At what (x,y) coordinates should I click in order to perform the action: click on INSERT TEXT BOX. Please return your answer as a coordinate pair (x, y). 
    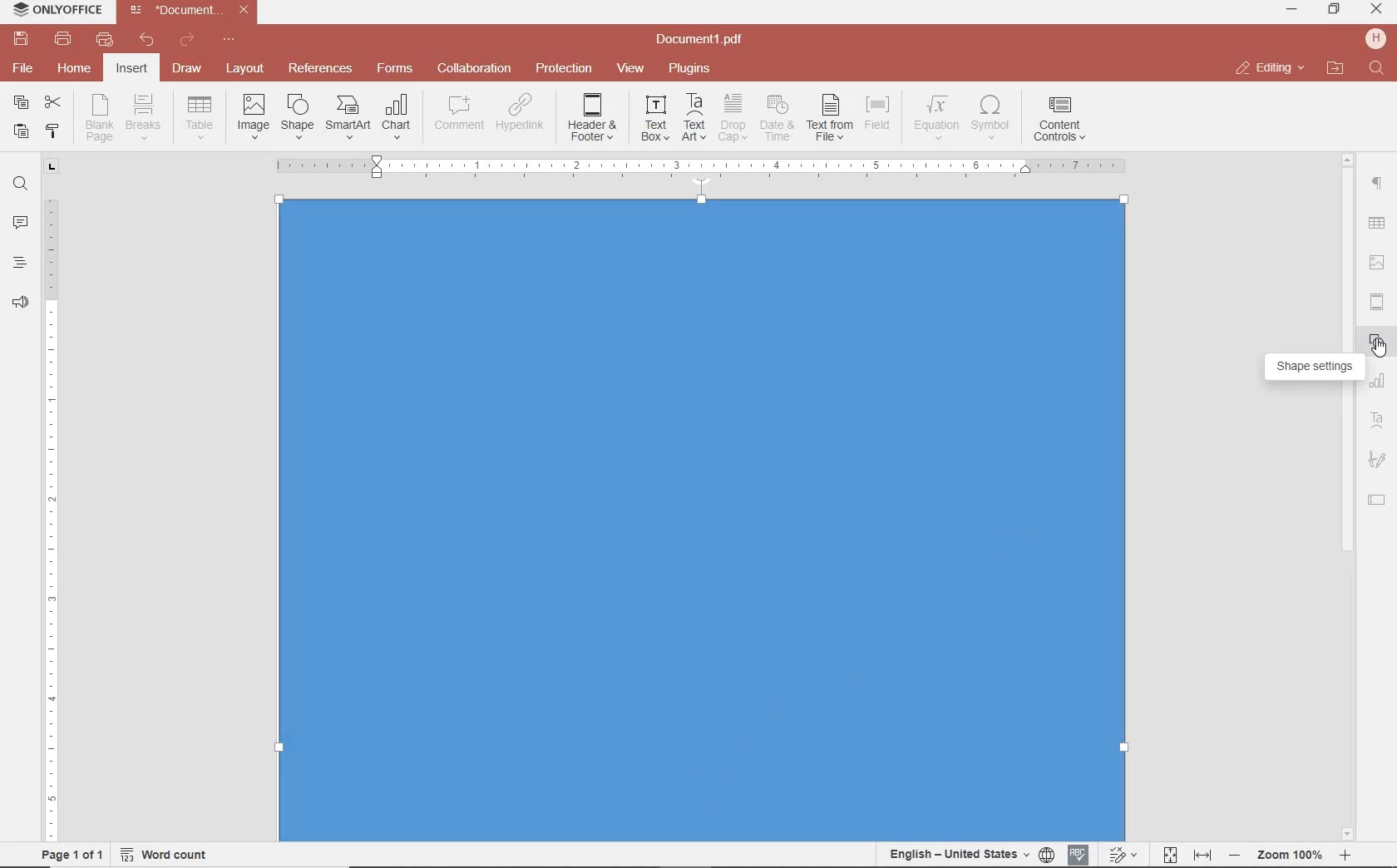
    Looking at the image, I should click on (654, 117).